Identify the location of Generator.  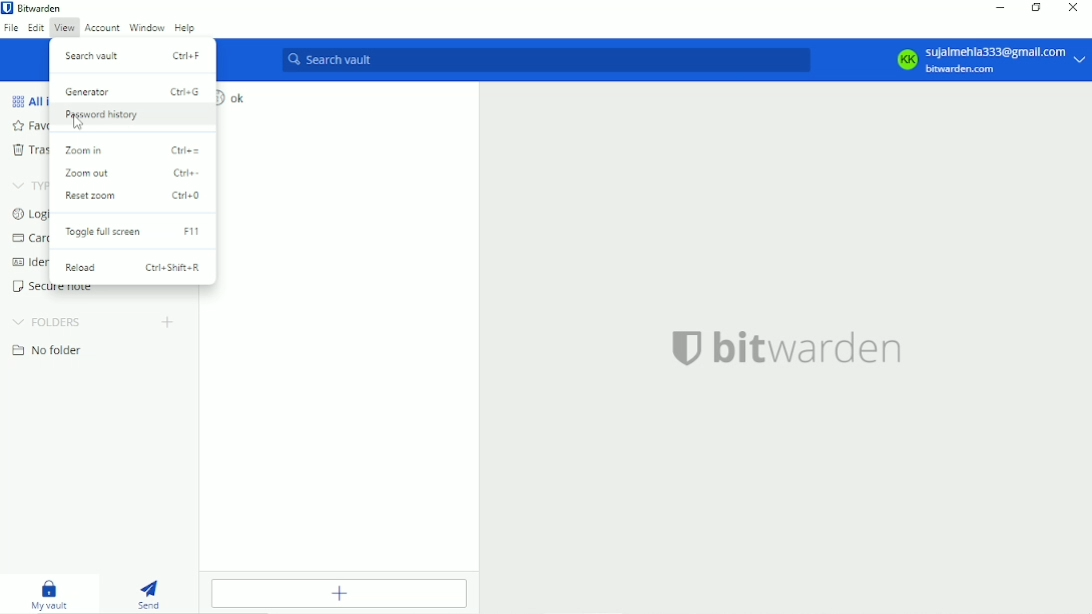
(132, 90).